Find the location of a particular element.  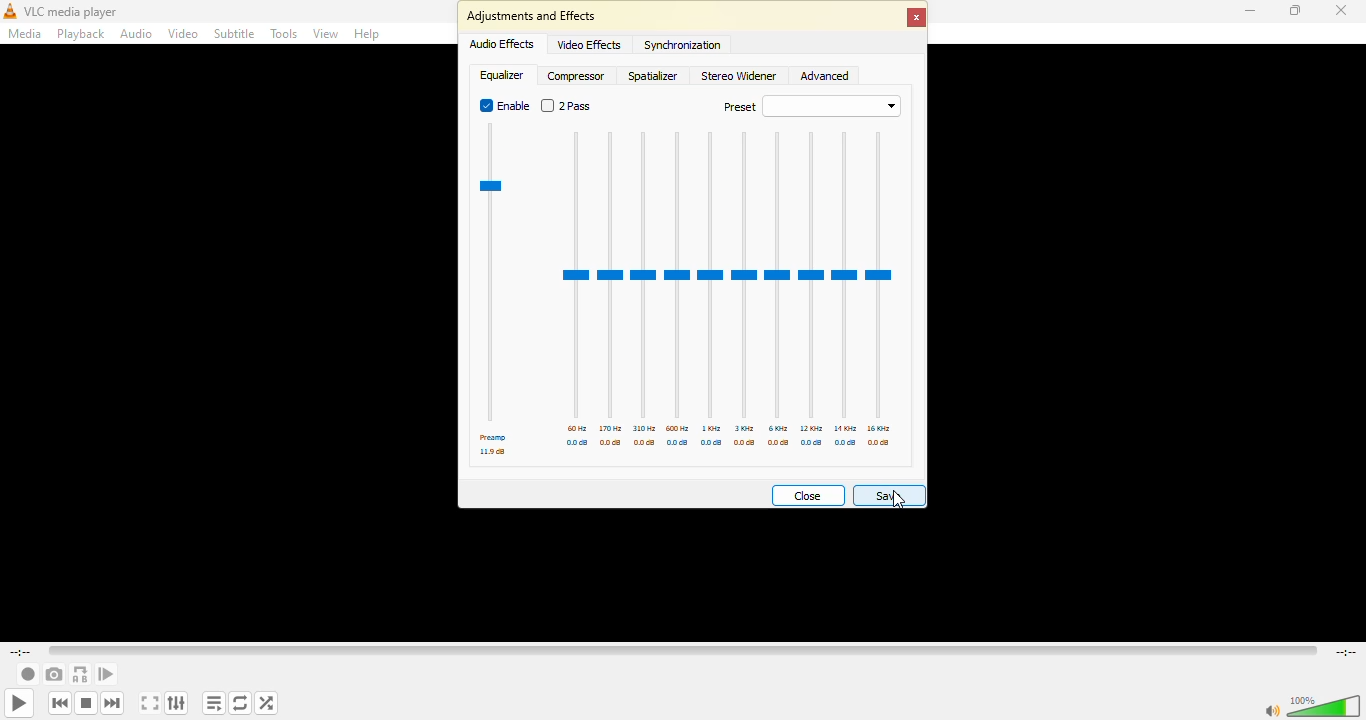

2 pass is located at coordinates (568, 107).